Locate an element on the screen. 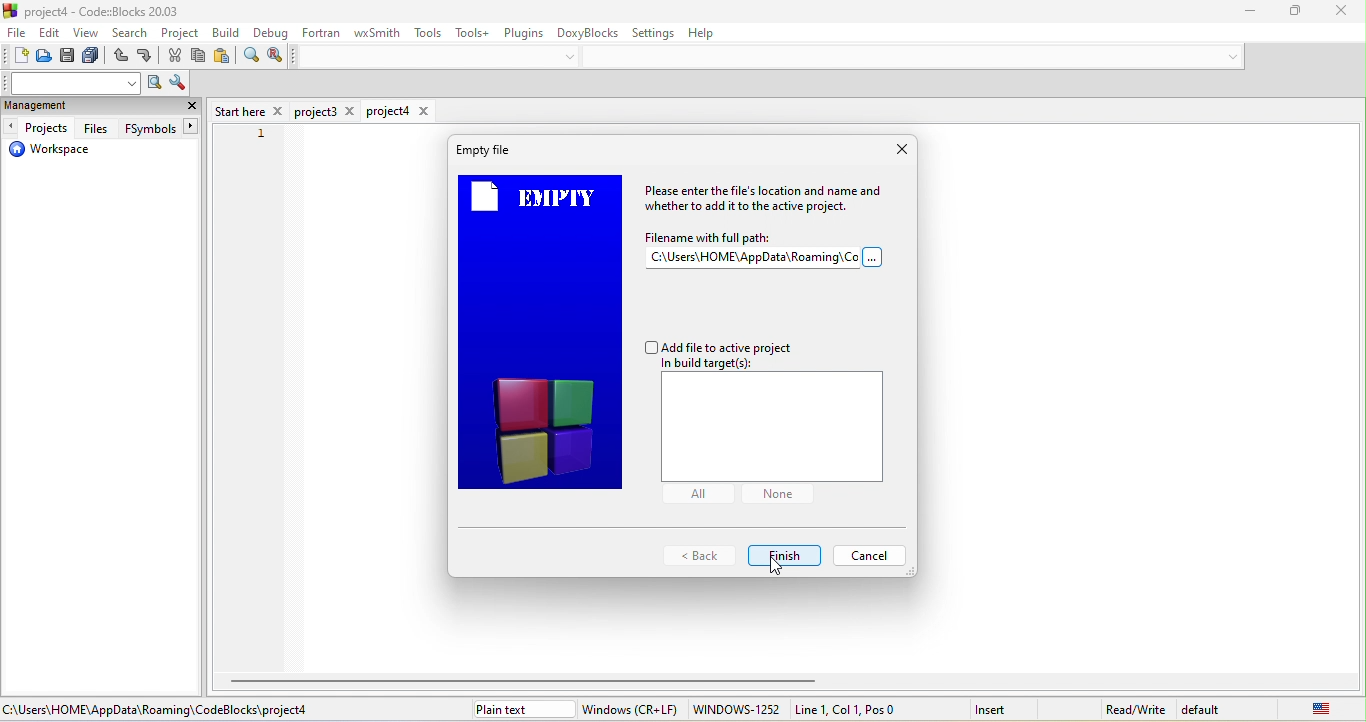 The height and width of the screenshot is (722, 1366). down is located at coordinates (1228, 56).